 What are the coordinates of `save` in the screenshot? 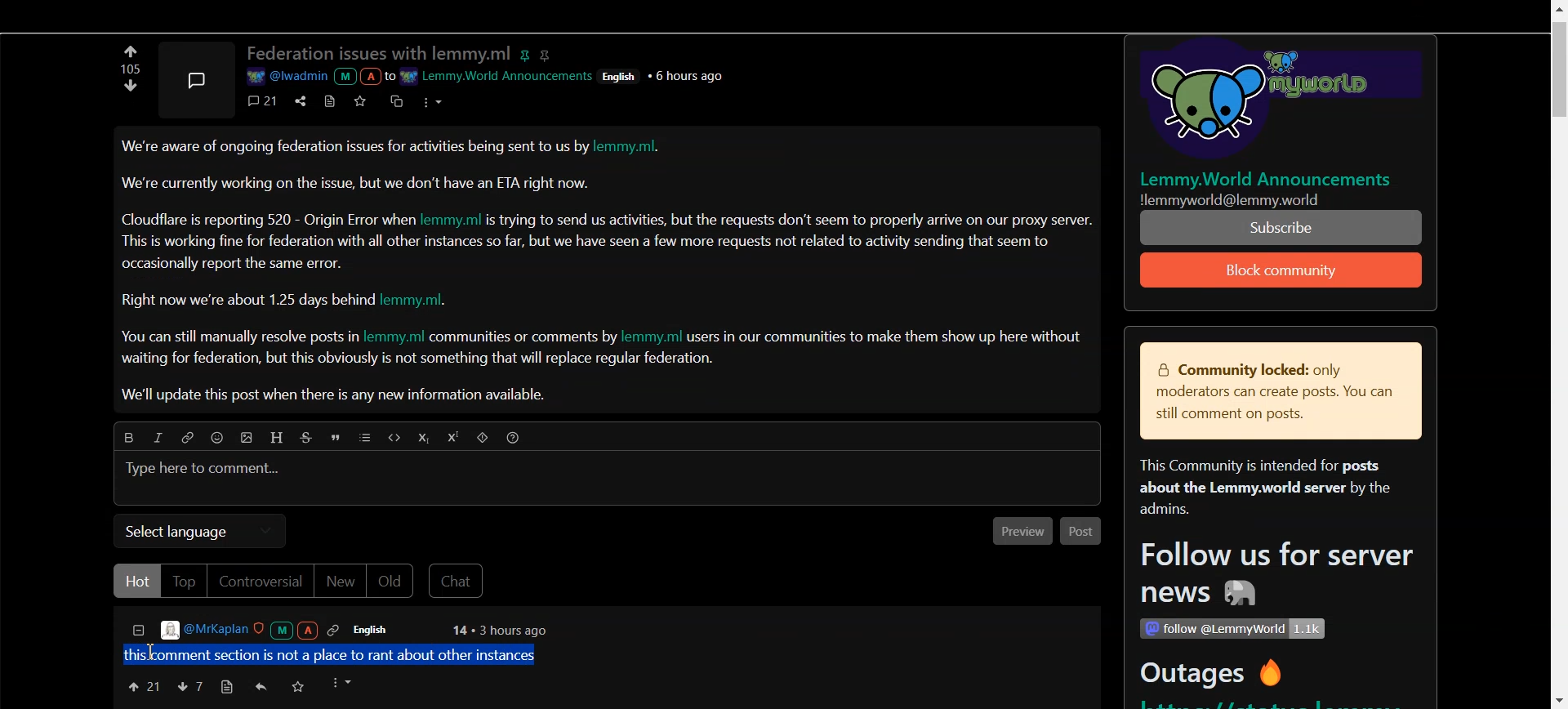 It's located at (298, 686).